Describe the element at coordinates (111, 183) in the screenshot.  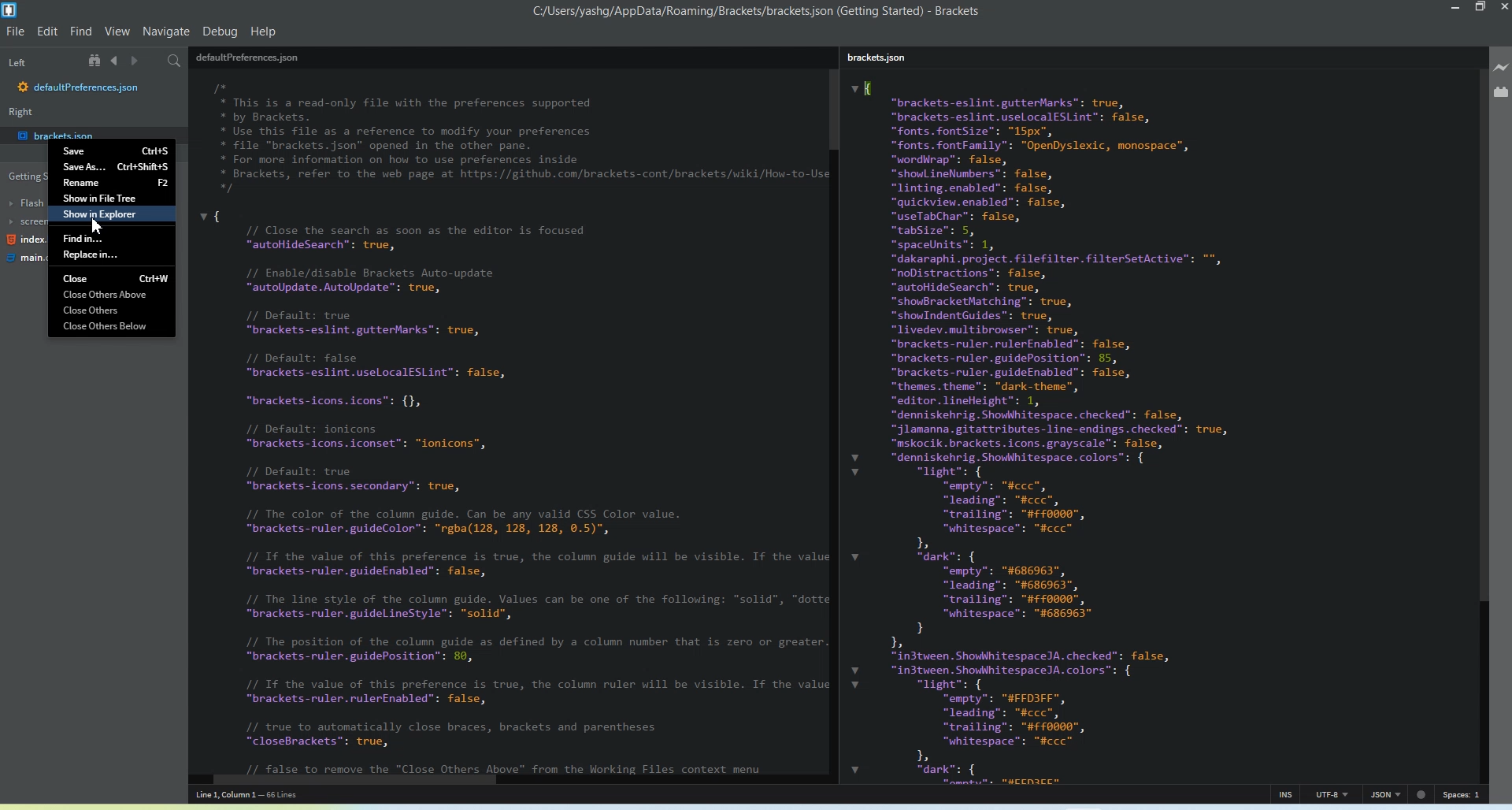
I see `Rename` at that location.